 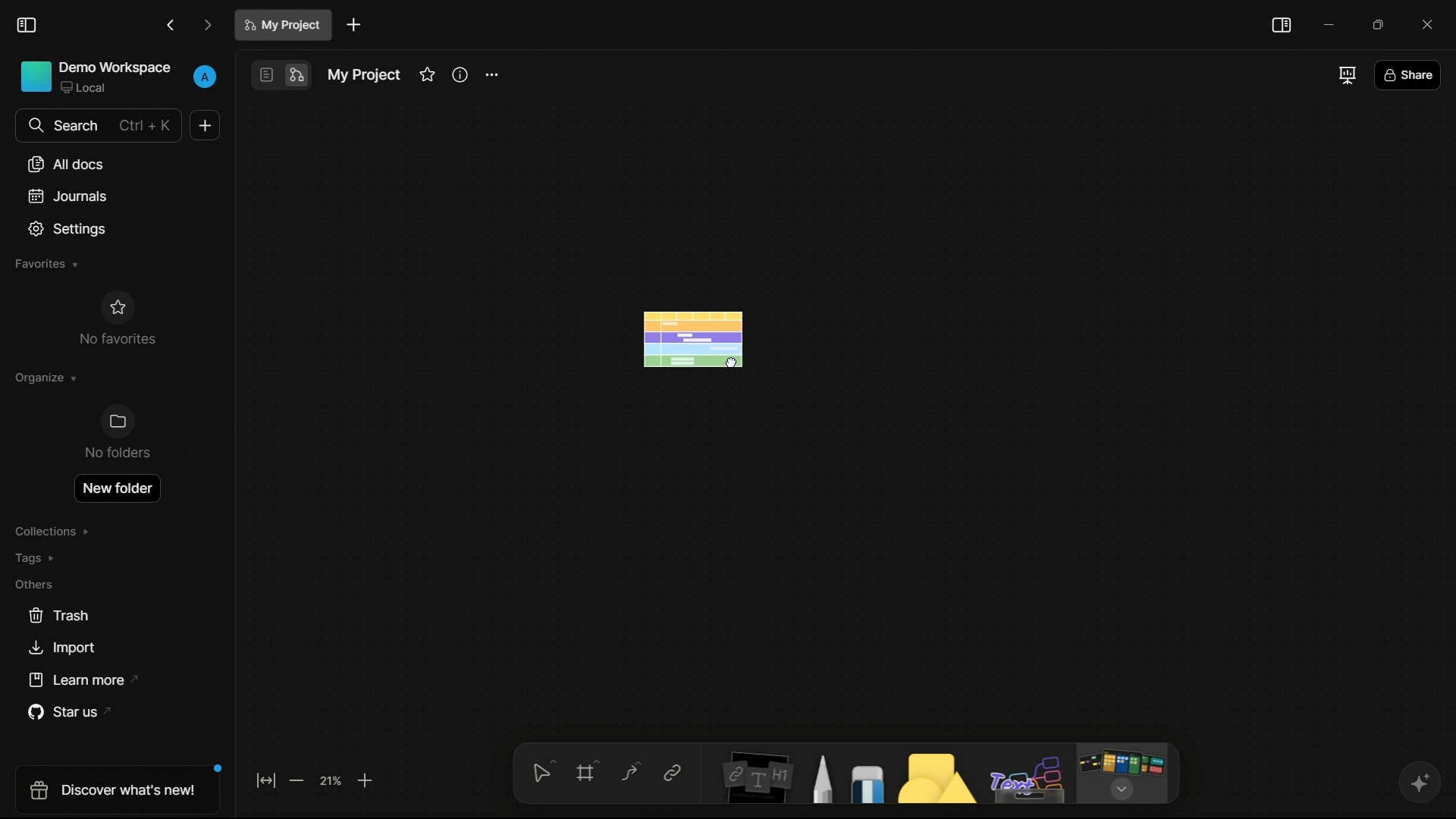 I want to click on more tools, so click(x=1123, y=773).